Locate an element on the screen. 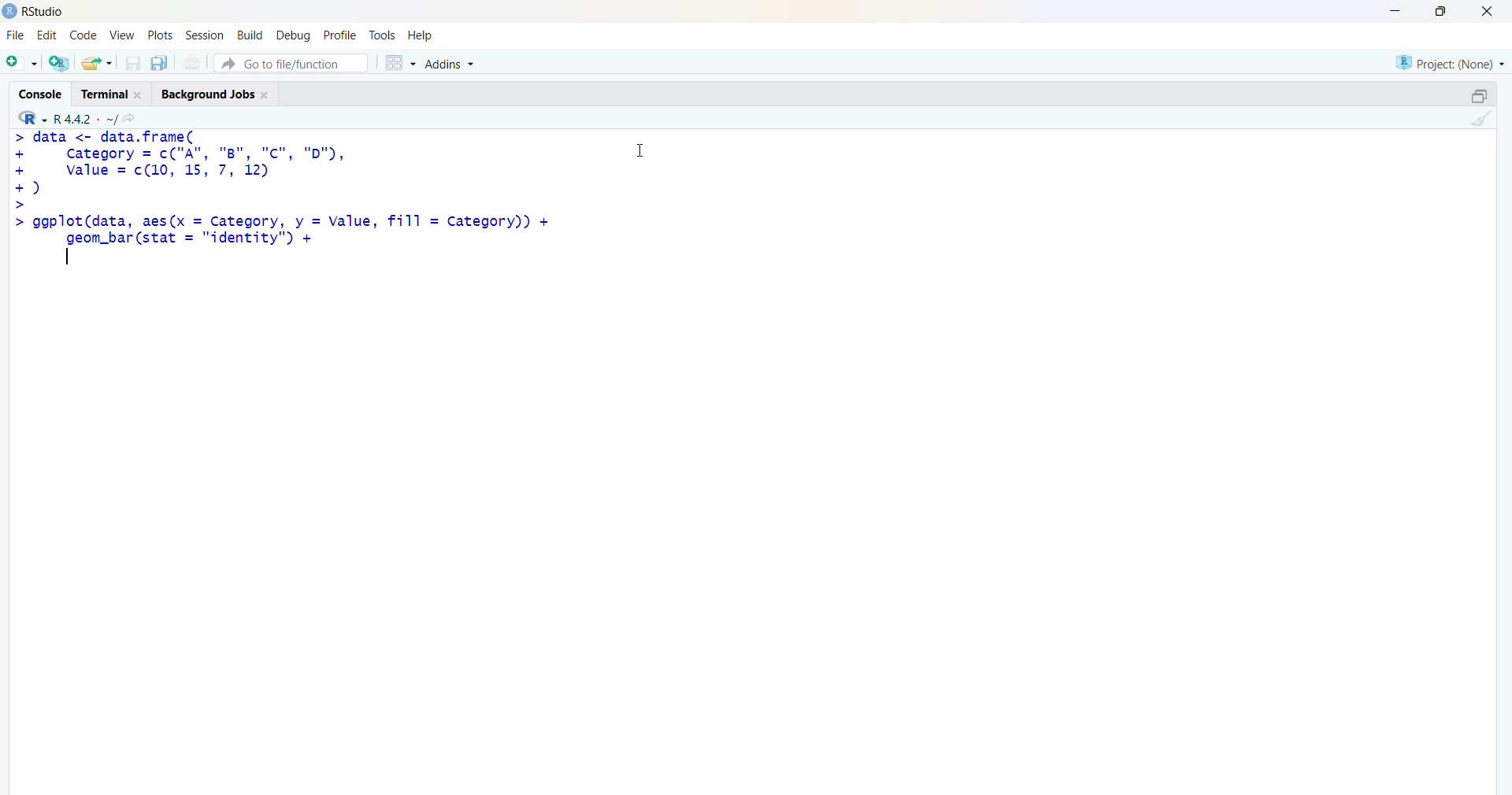 The height and width of the screenshot is (795, 1512). open an existing file is located at coordinates (96, 62).